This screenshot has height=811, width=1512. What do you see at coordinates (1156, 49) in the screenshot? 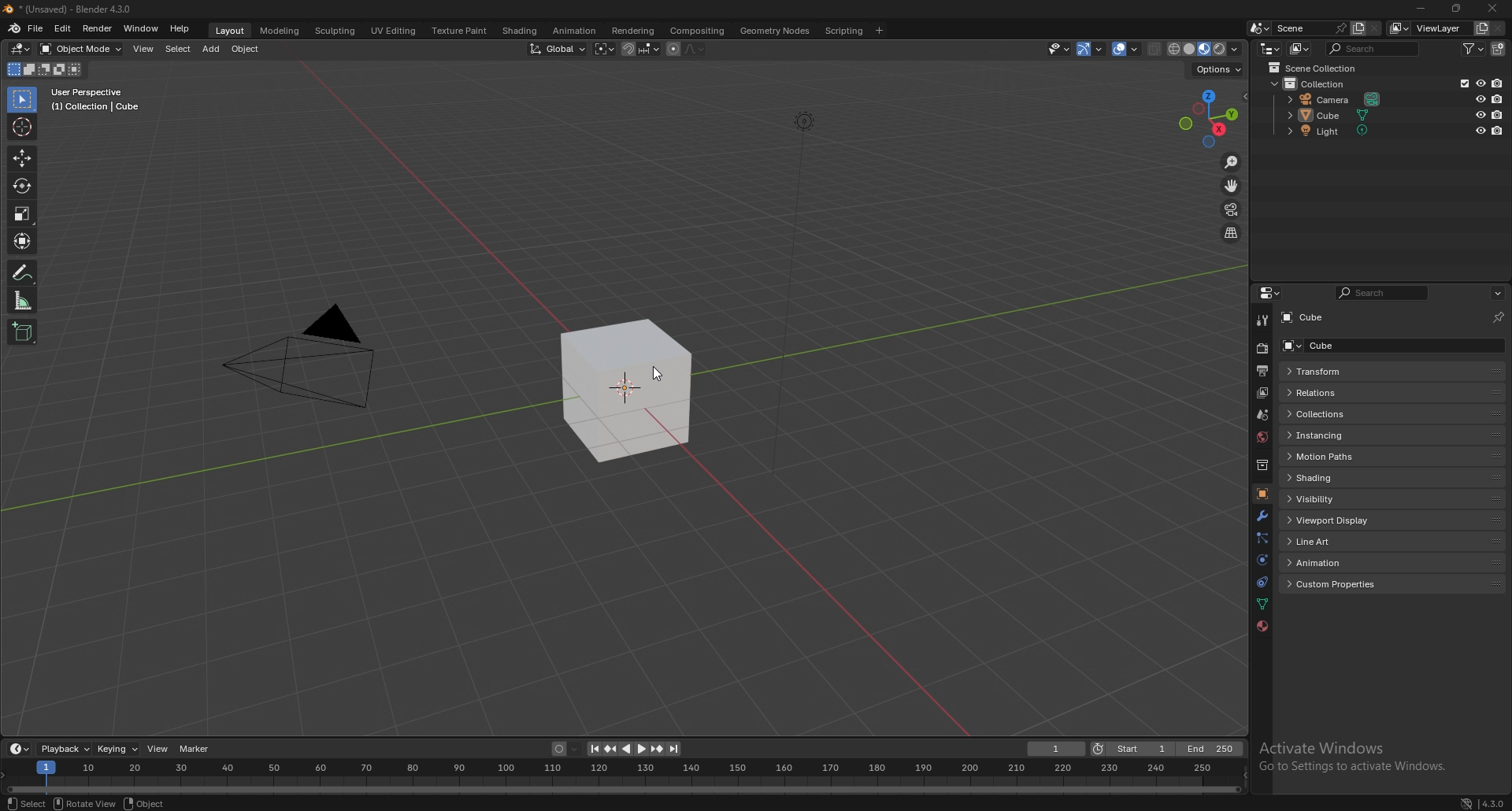
I see `toggle xray` at bounding box center [1156, 49].